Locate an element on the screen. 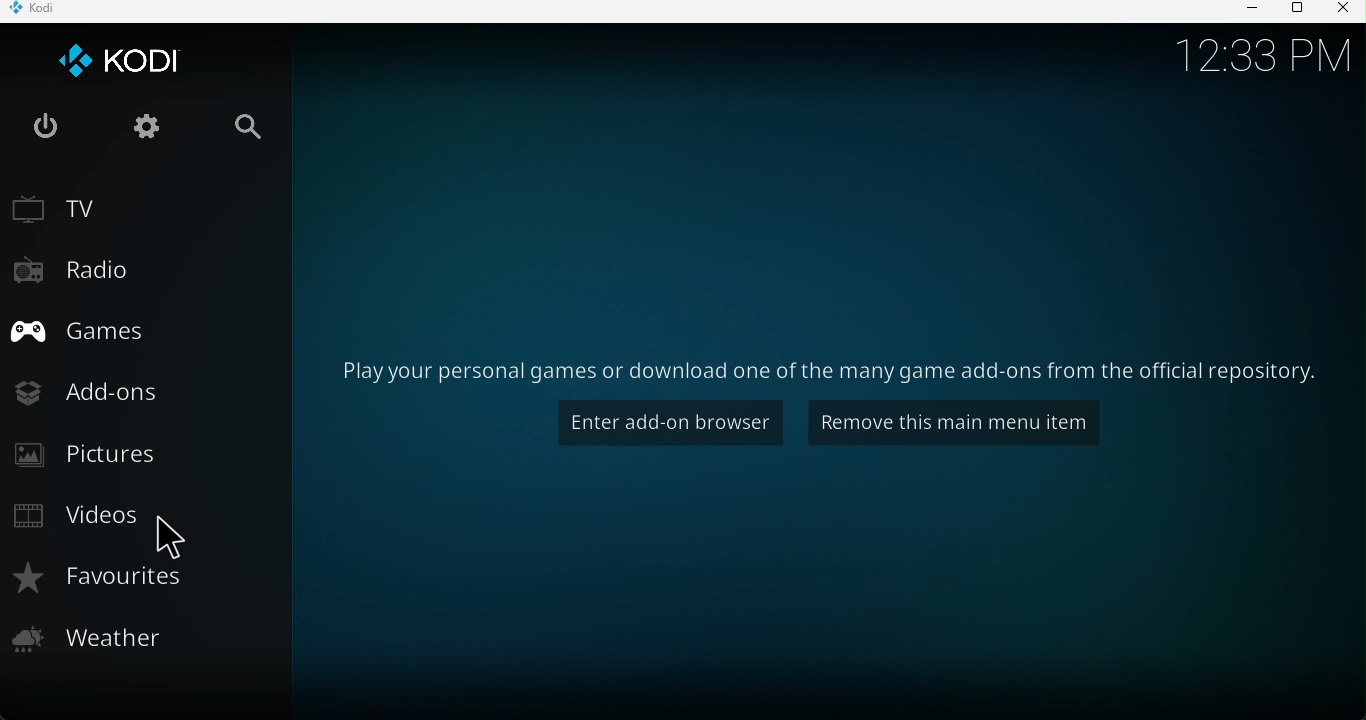 The height and width of the screenshot is (720, 1366). Pictures is located at coordinates (92, 461).